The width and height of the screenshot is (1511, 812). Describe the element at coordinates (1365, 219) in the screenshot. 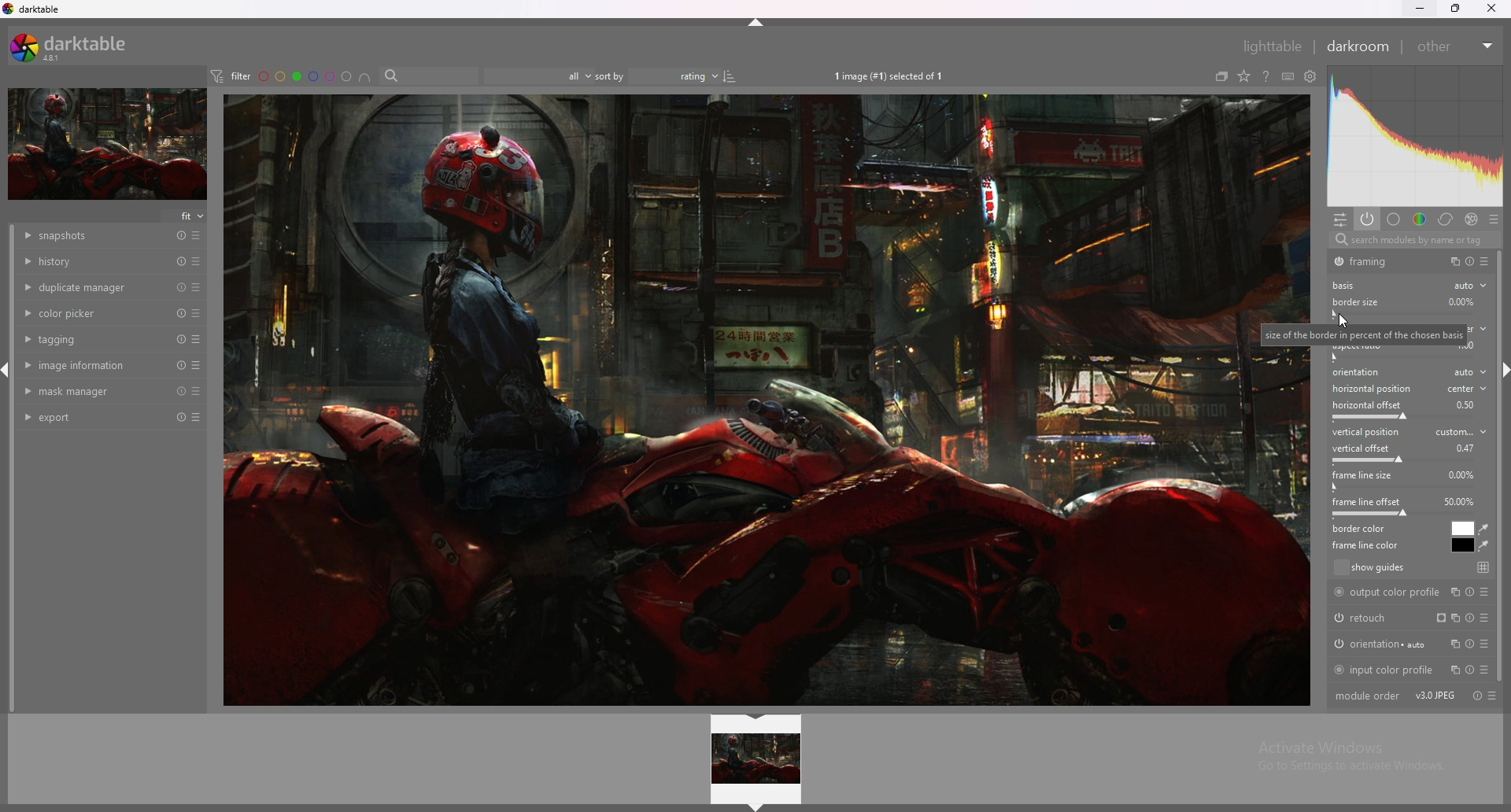

I see `show active modules` at that location.